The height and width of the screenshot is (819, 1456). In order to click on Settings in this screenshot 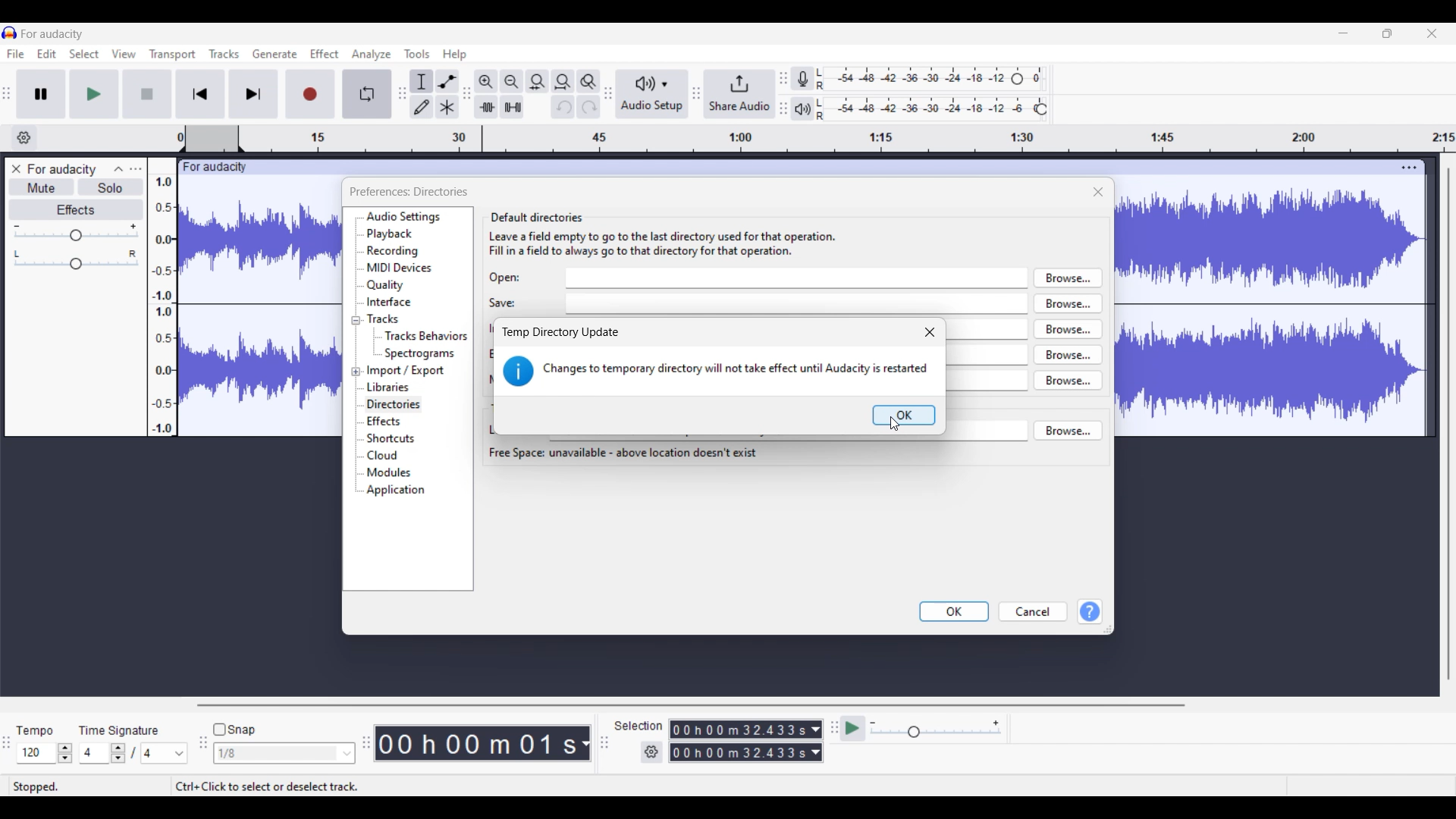, I will do `click(652, 752)`.